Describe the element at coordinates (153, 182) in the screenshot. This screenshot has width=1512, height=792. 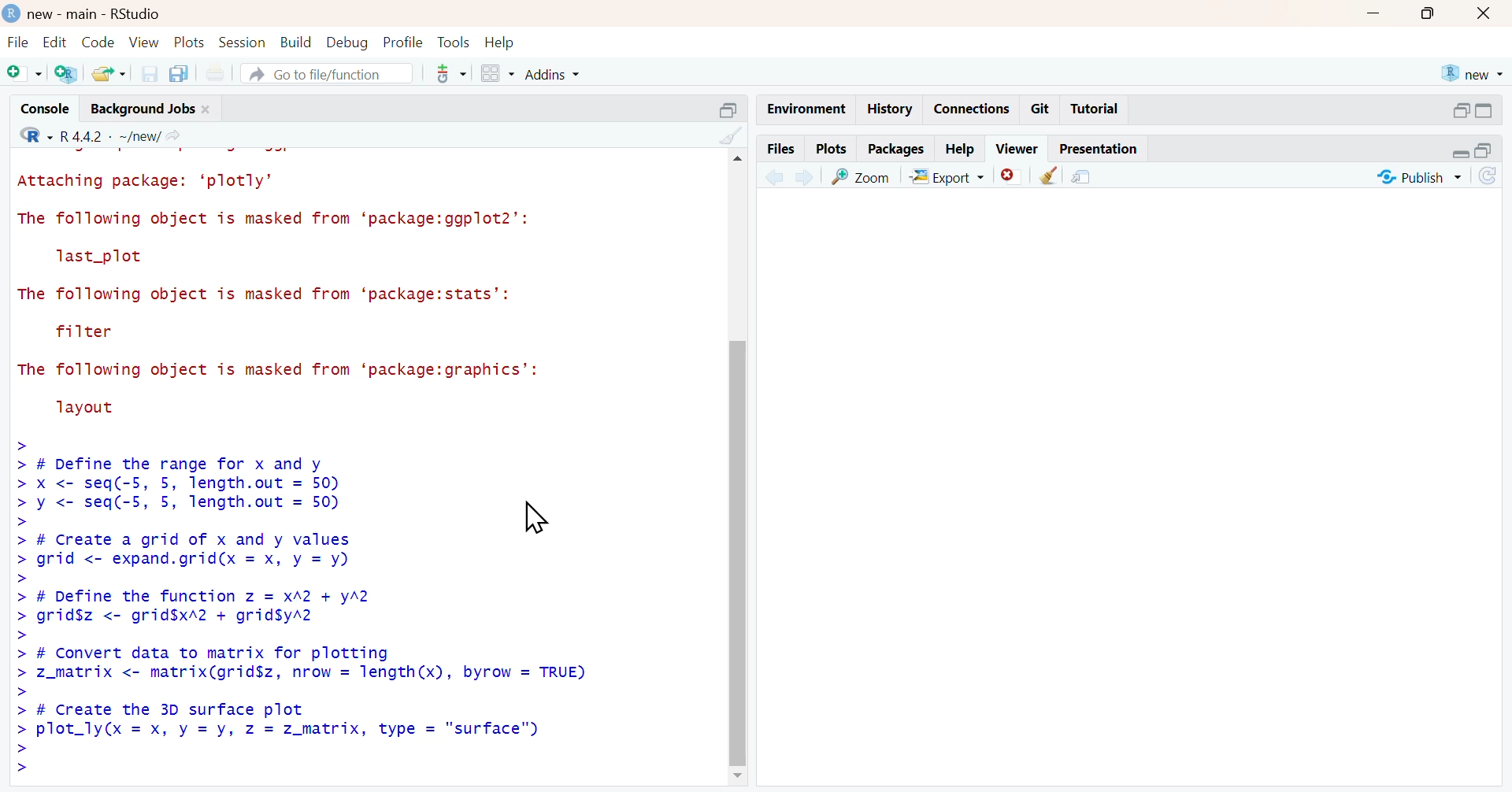
I see `Attaching package: ‘plotly’` at that location.